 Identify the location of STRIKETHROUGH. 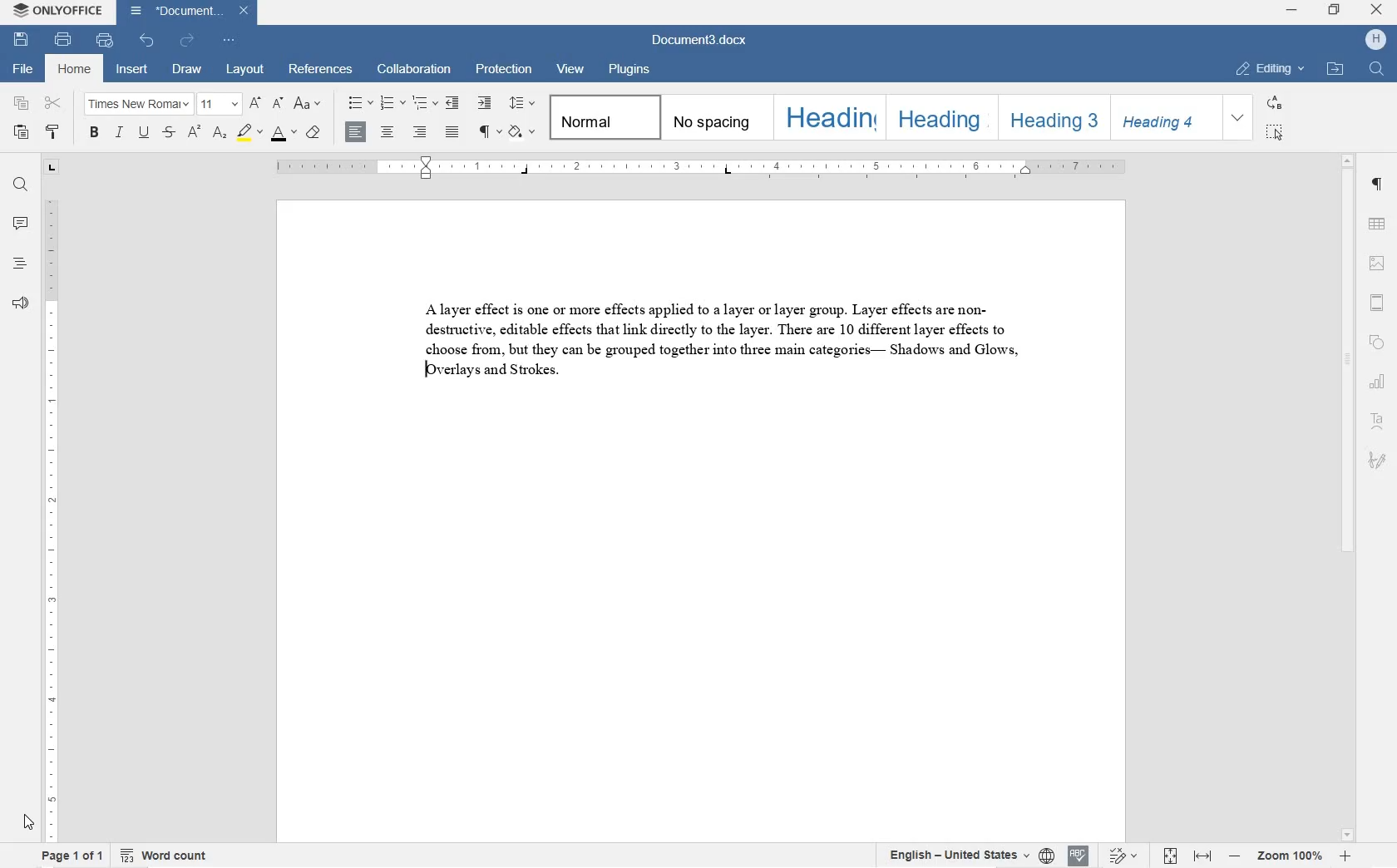
(169, 133).